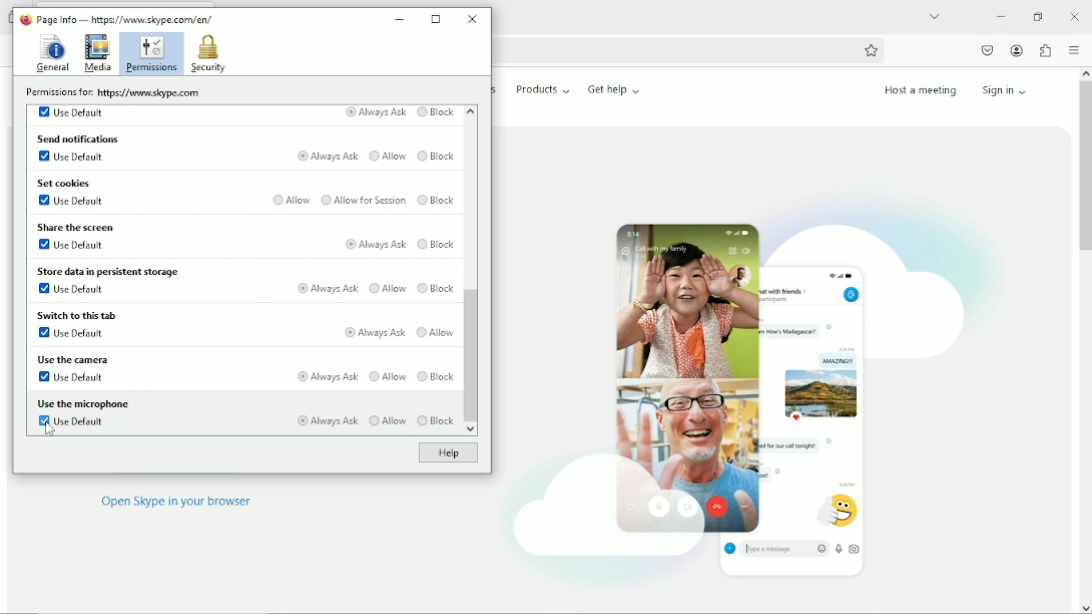 This screenshot has height=614, width=1092. What do you see at coordinates (437, 19) in the screenshot?
I see `Maximize` at bounding box center [437, 19].